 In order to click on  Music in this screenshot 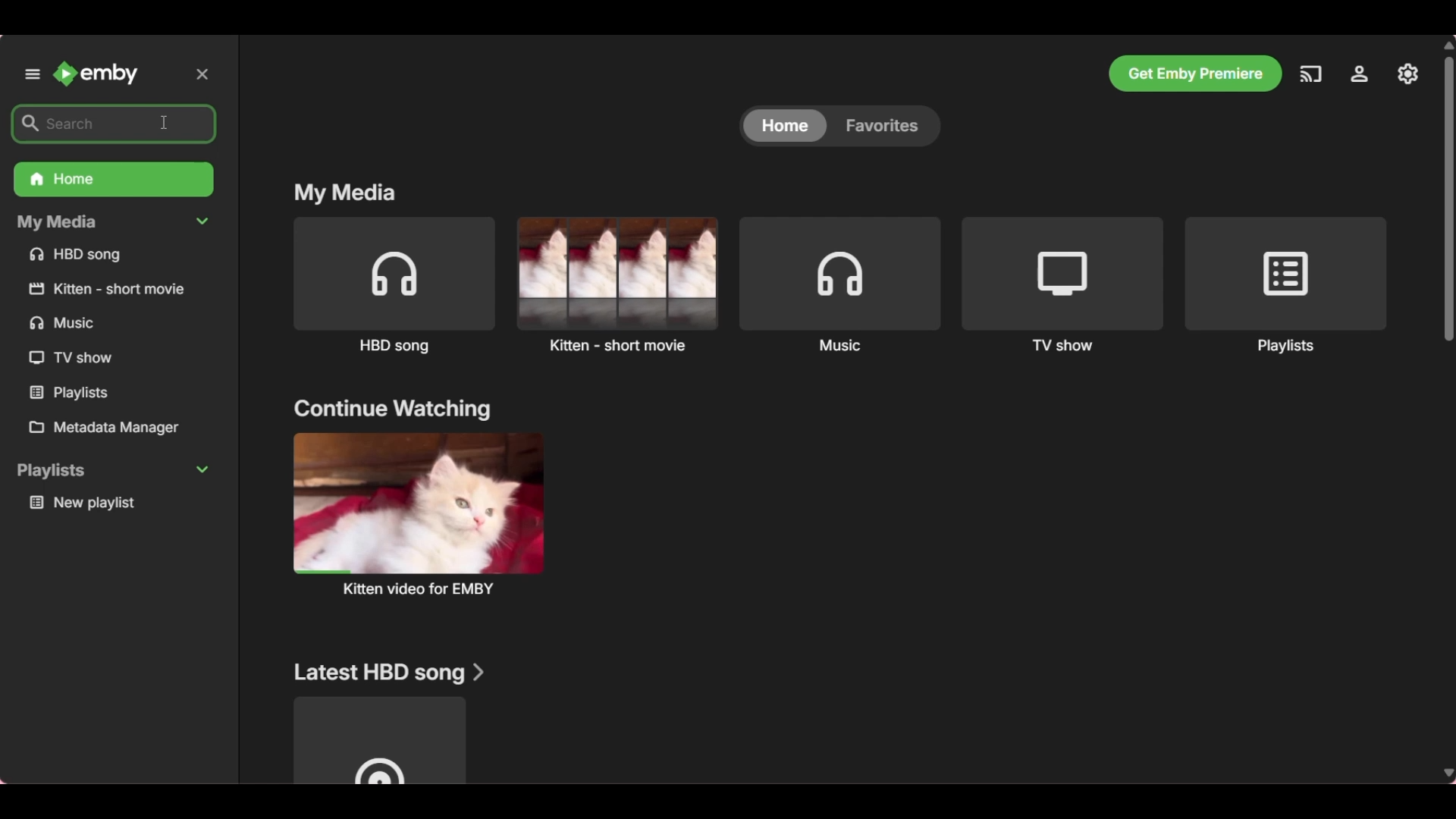, I will do `click(69, 324)`.